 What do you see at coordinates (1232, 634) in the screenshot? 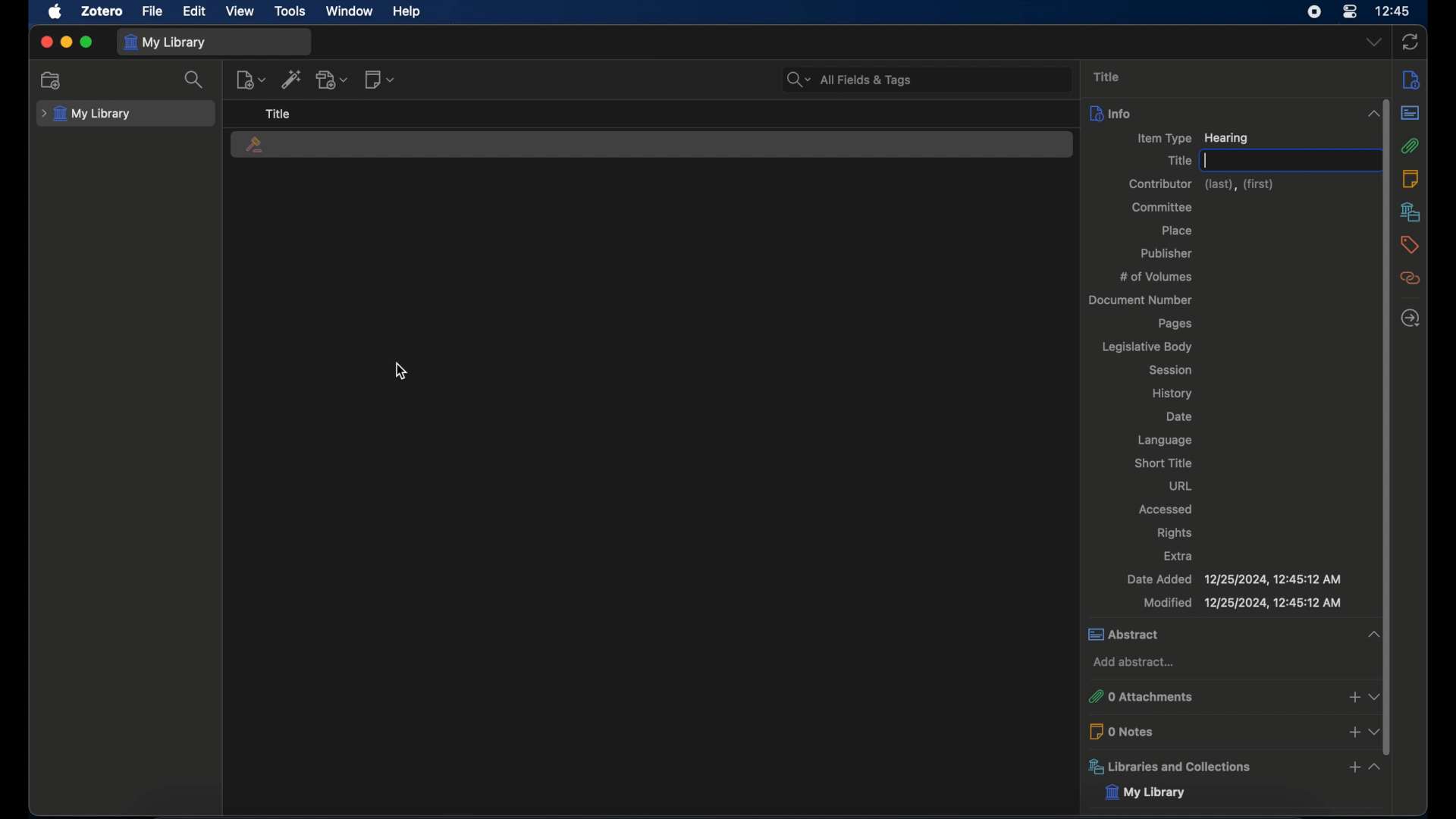
I see `abstract` at bounding box center [1232, 634].